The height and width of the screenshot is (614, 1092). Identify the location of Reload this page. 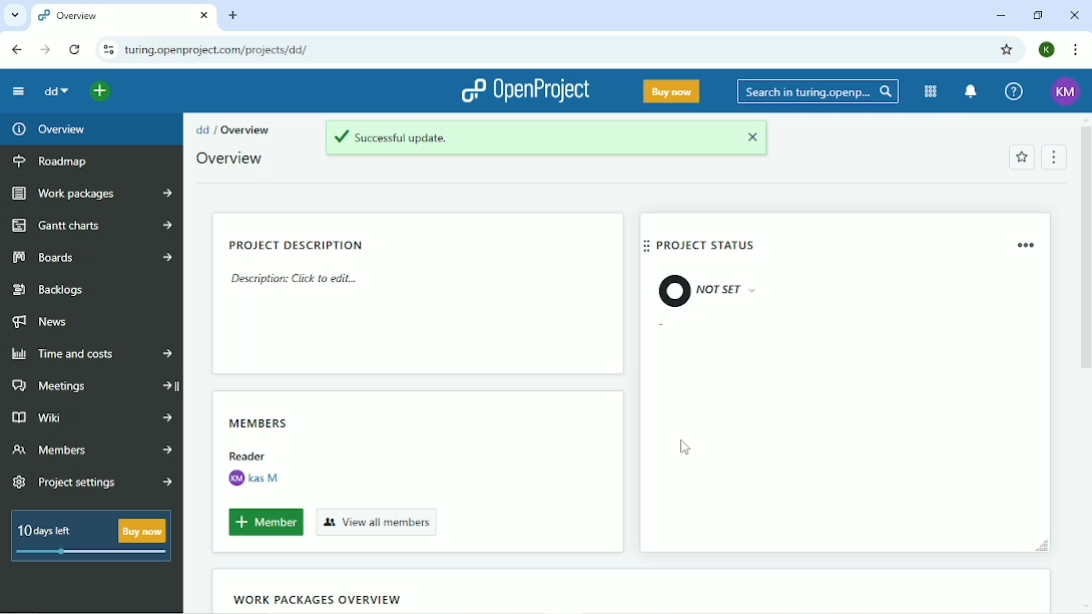
(74, 50).